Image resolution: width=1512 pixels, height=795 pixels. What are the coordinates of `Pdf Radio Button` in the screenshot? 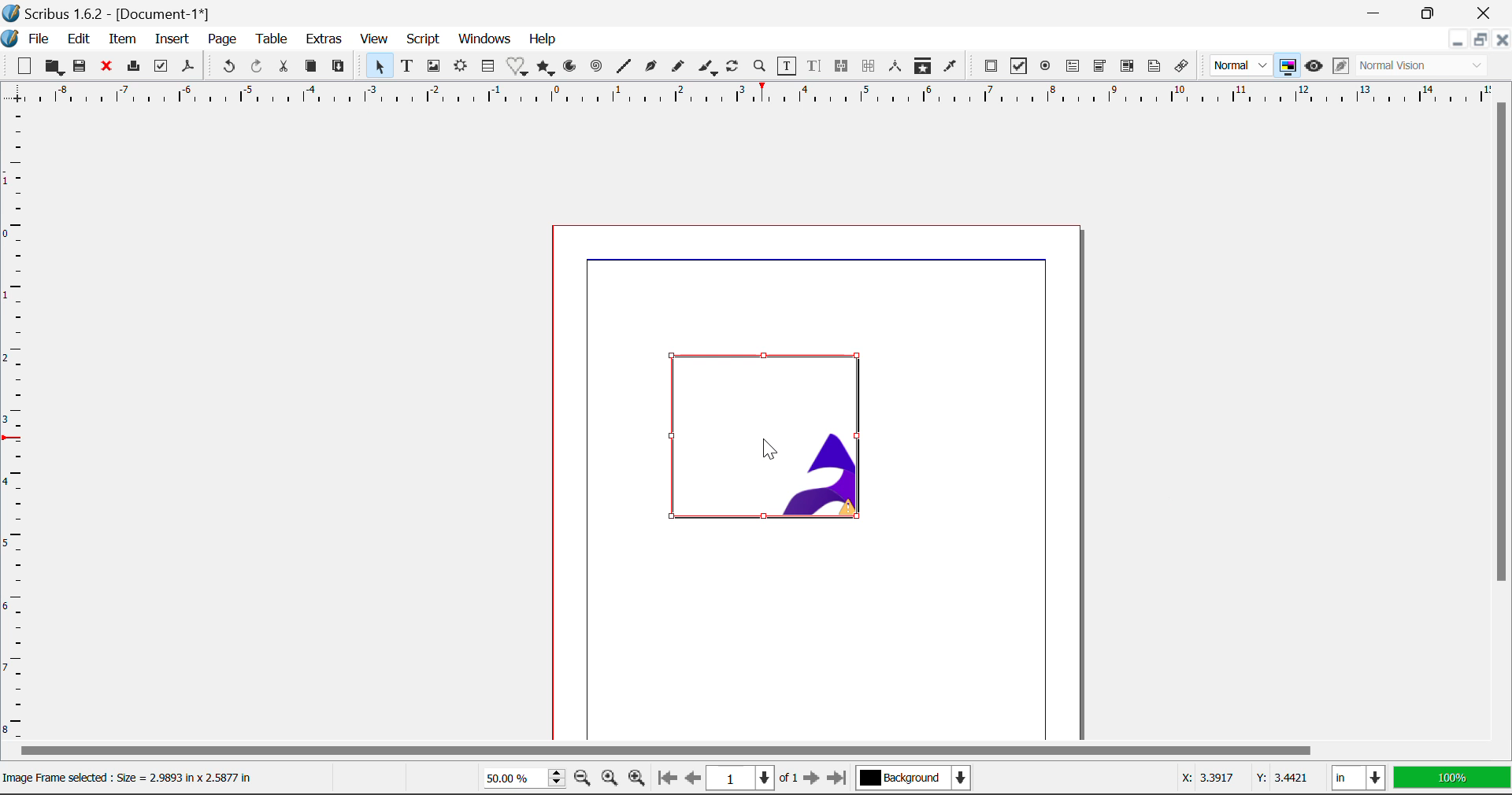 It's located at (1046, 67).